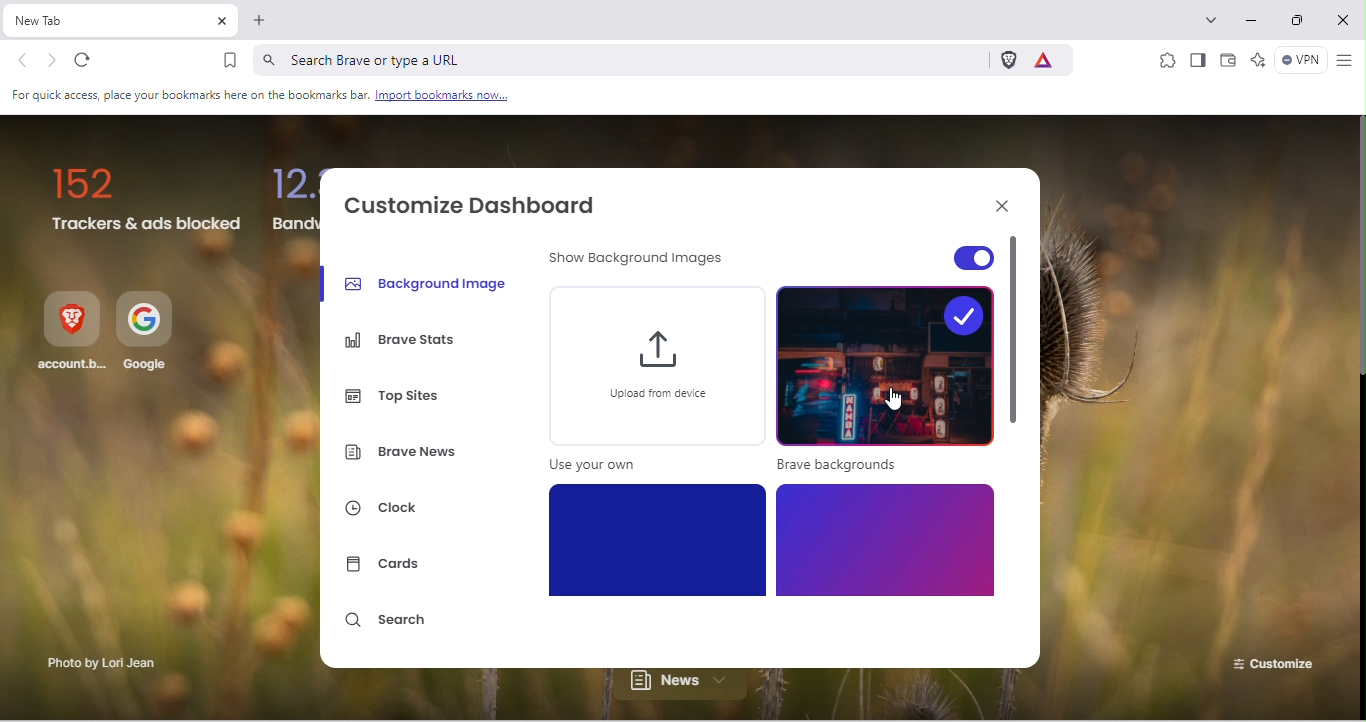 The image size is (1366, 722). What do you see at coordinates (481, 203) in the screenshot?
I see `Customize dashboard` at bounding box center [481, 203].